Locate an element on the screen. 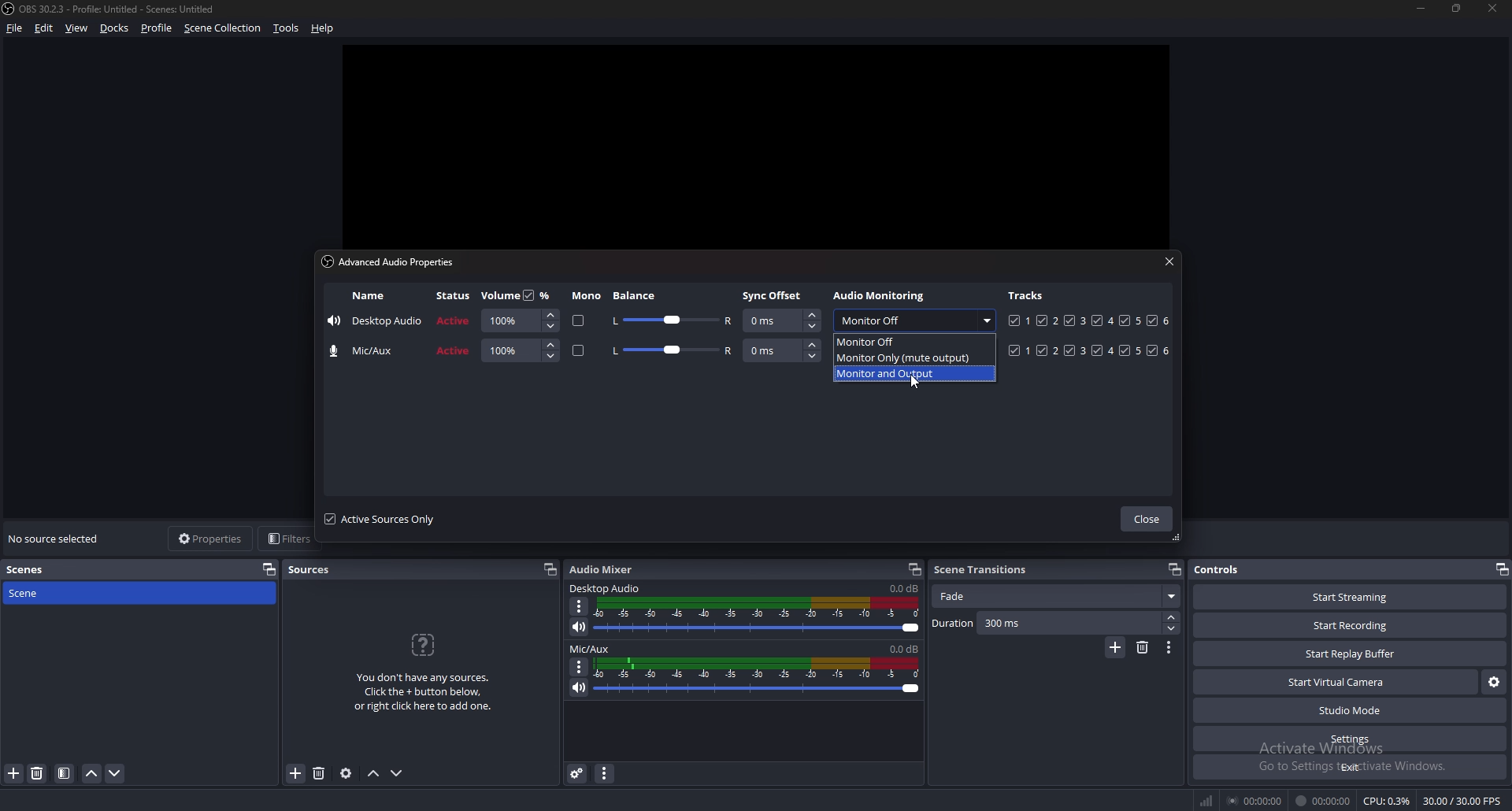 The height and width of the screenshot is (811, 1512). remove source is located at coordinates (320, 772).